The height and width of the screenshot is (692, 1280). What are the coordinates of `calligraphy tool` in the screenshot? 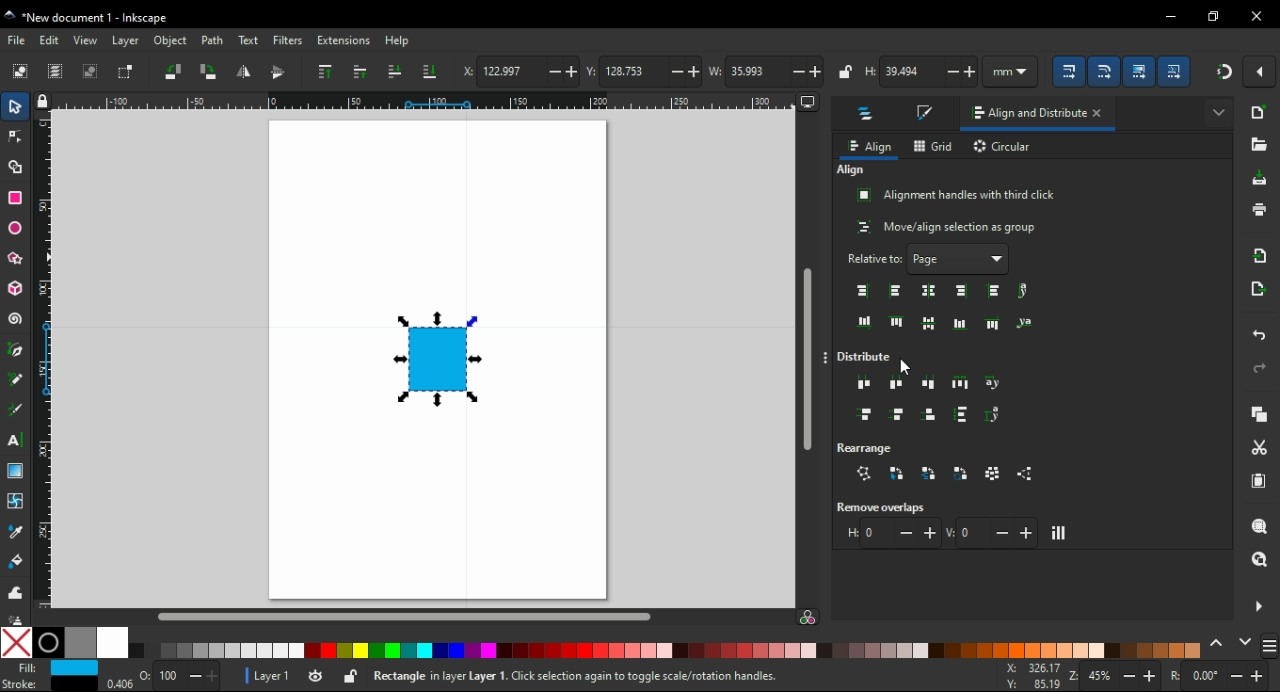 It's located at (19, 410).